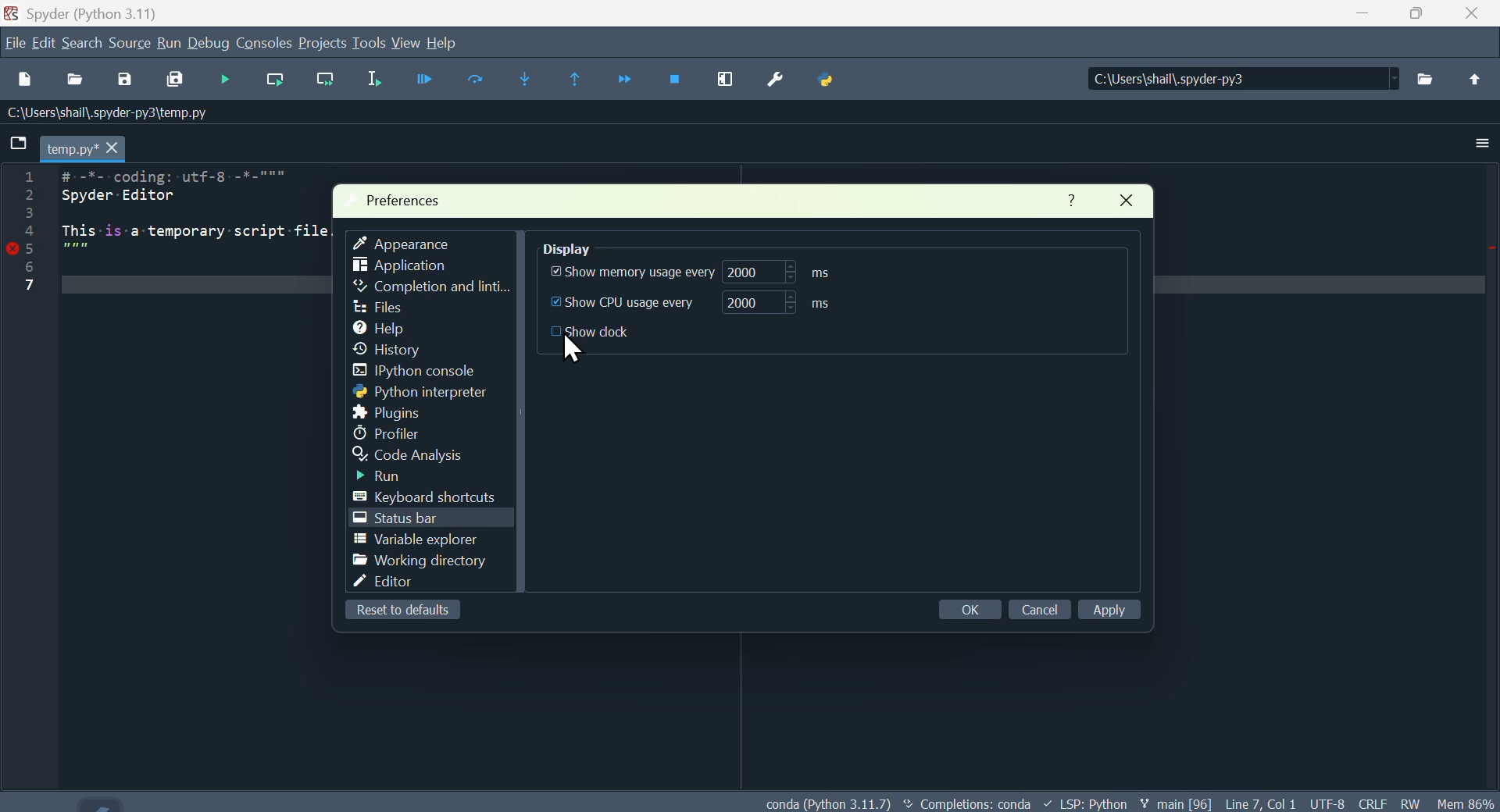 The height and width of the screenshot is (812, 1500). I want to click on Preferences, so click(409, 200).